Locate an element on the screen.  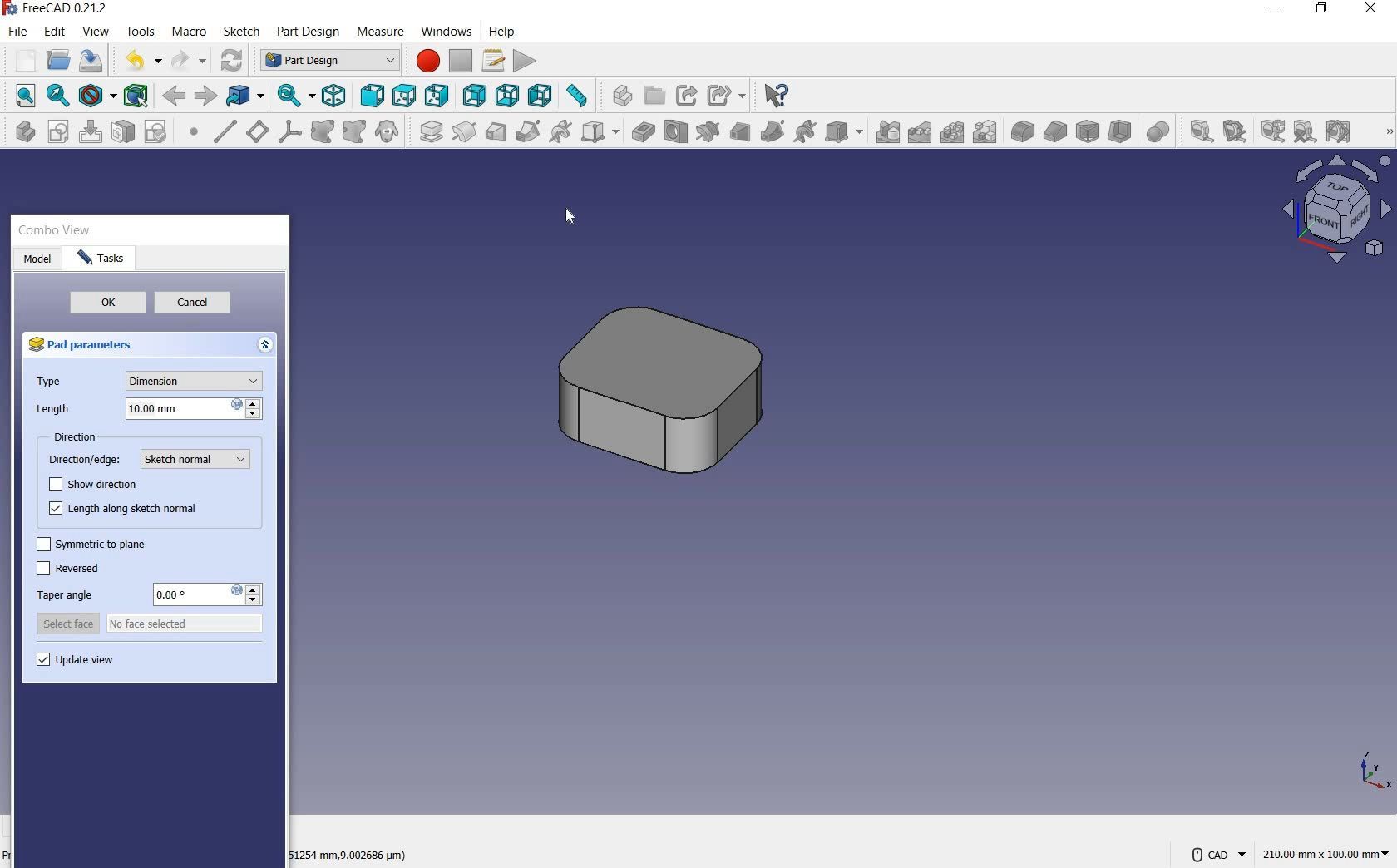
subtractive pipe is located at coordinates (773, 131).